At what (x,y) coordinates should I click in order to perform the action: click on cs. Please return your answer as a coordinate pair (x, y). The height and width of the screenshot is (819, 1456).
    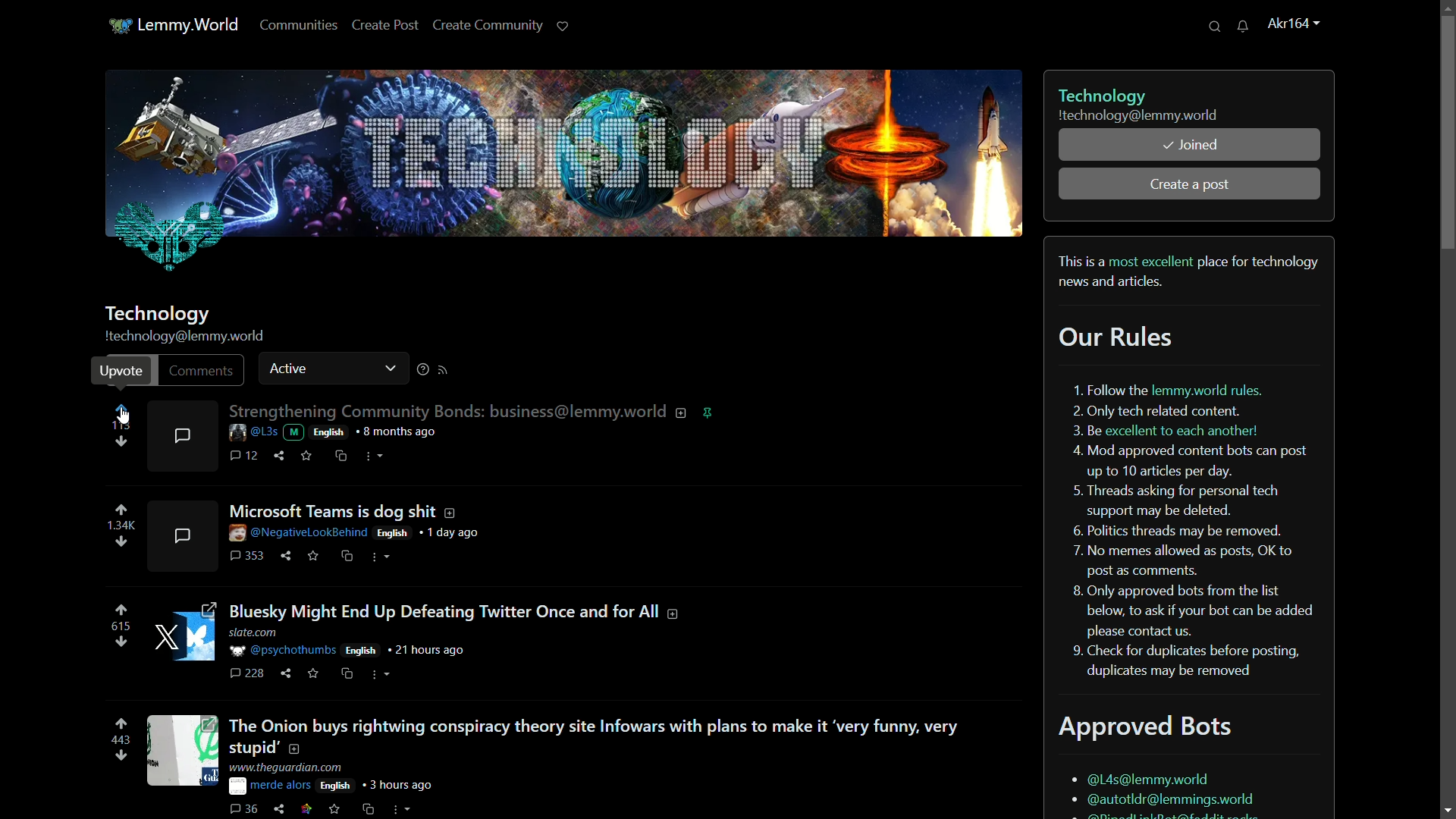
    Looking at the image, I should click on (369, 805).